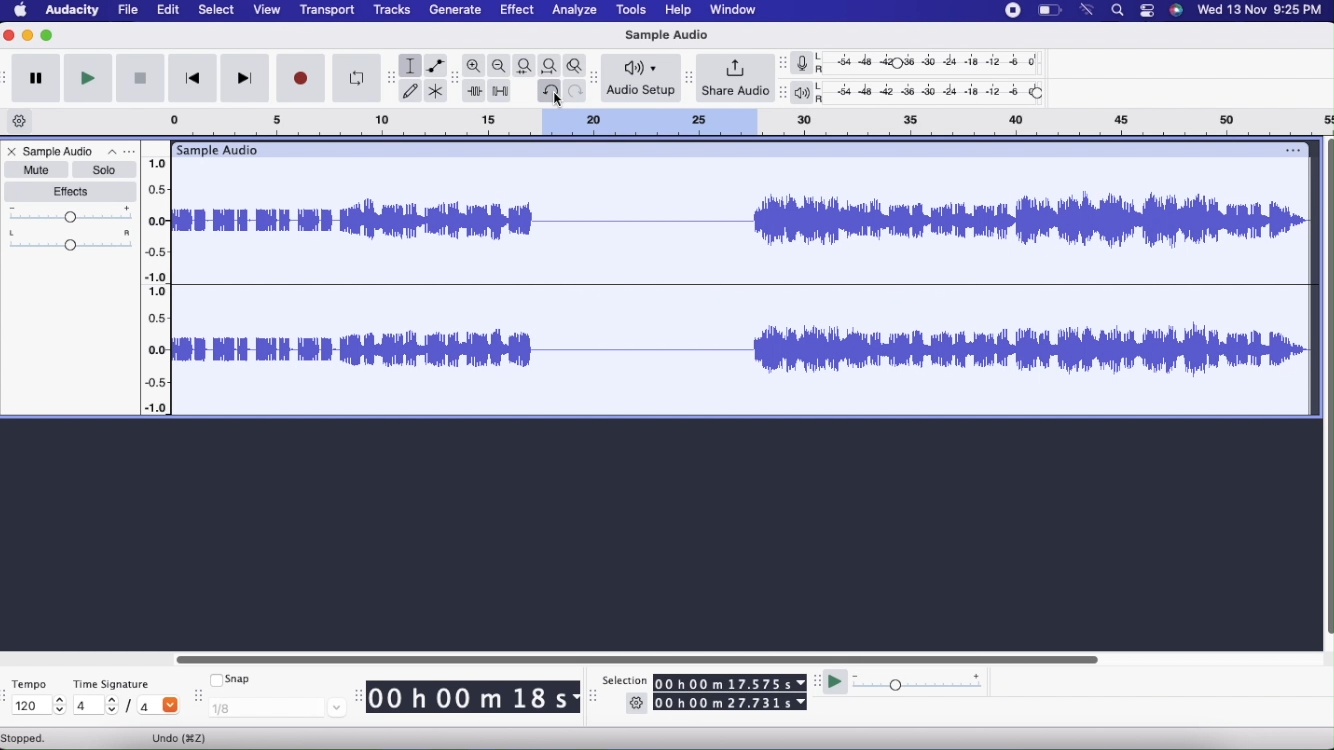 This screenshot has height=750, width=1334. I want to click on move toolbar, so click(8, 77).